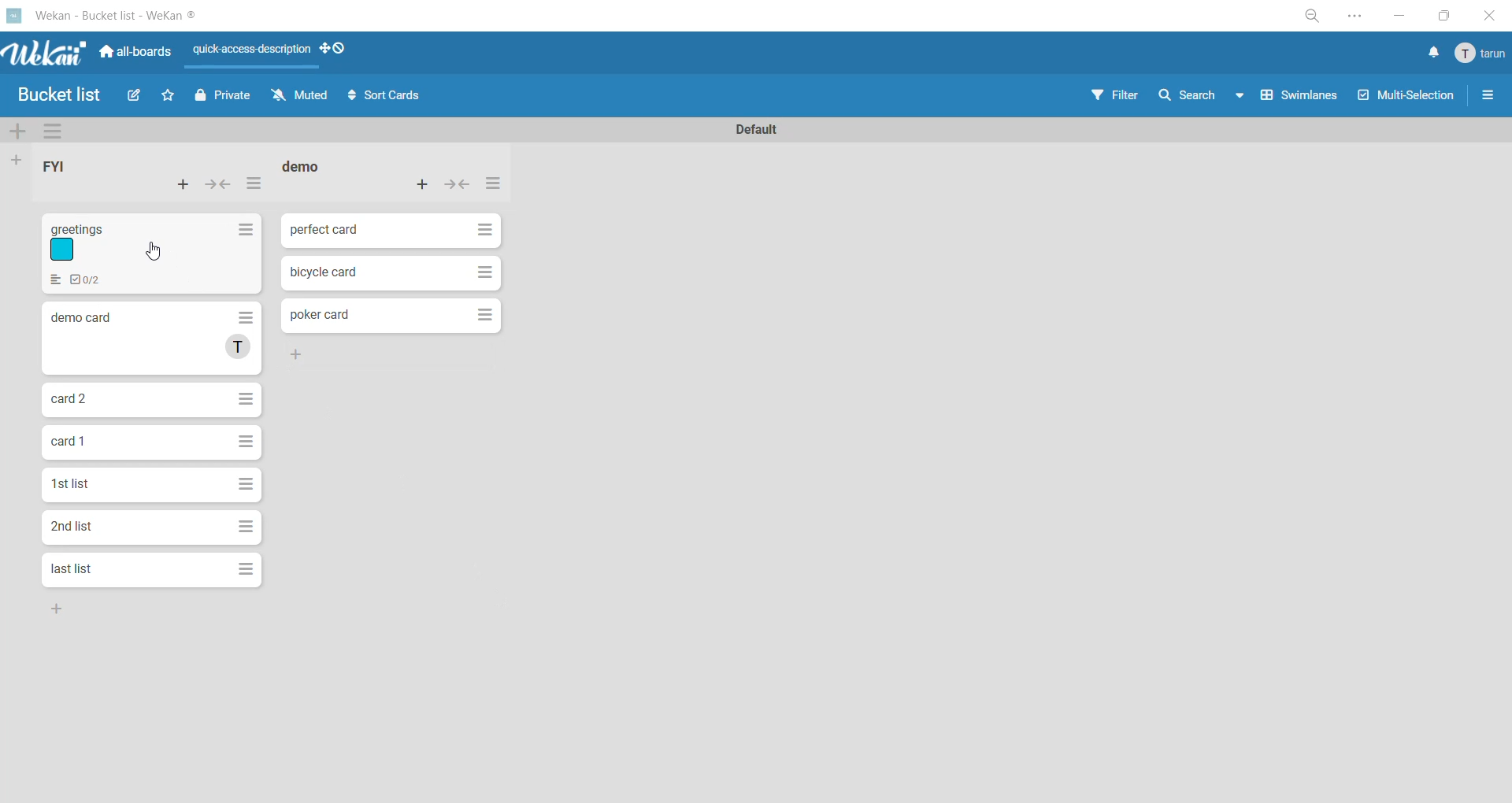 The width and height of the screenshot is (1512, 803). What do you see at coordinates (152, 571) in the screenshot?
I see `Last list` at bounding box center [152, 571].